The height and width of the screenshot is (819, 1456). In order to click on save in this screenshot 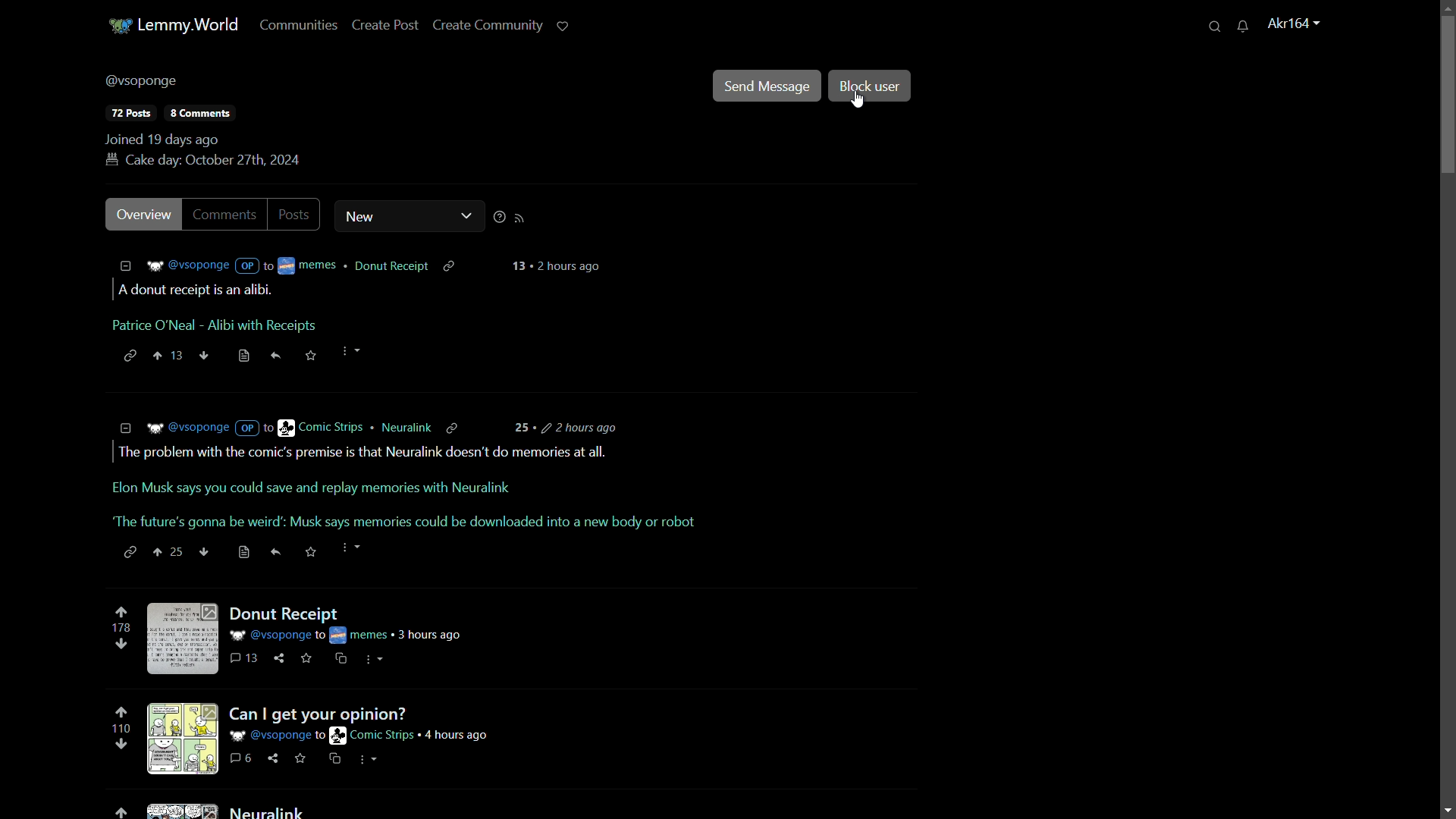, I will do `click(309, 661)`.